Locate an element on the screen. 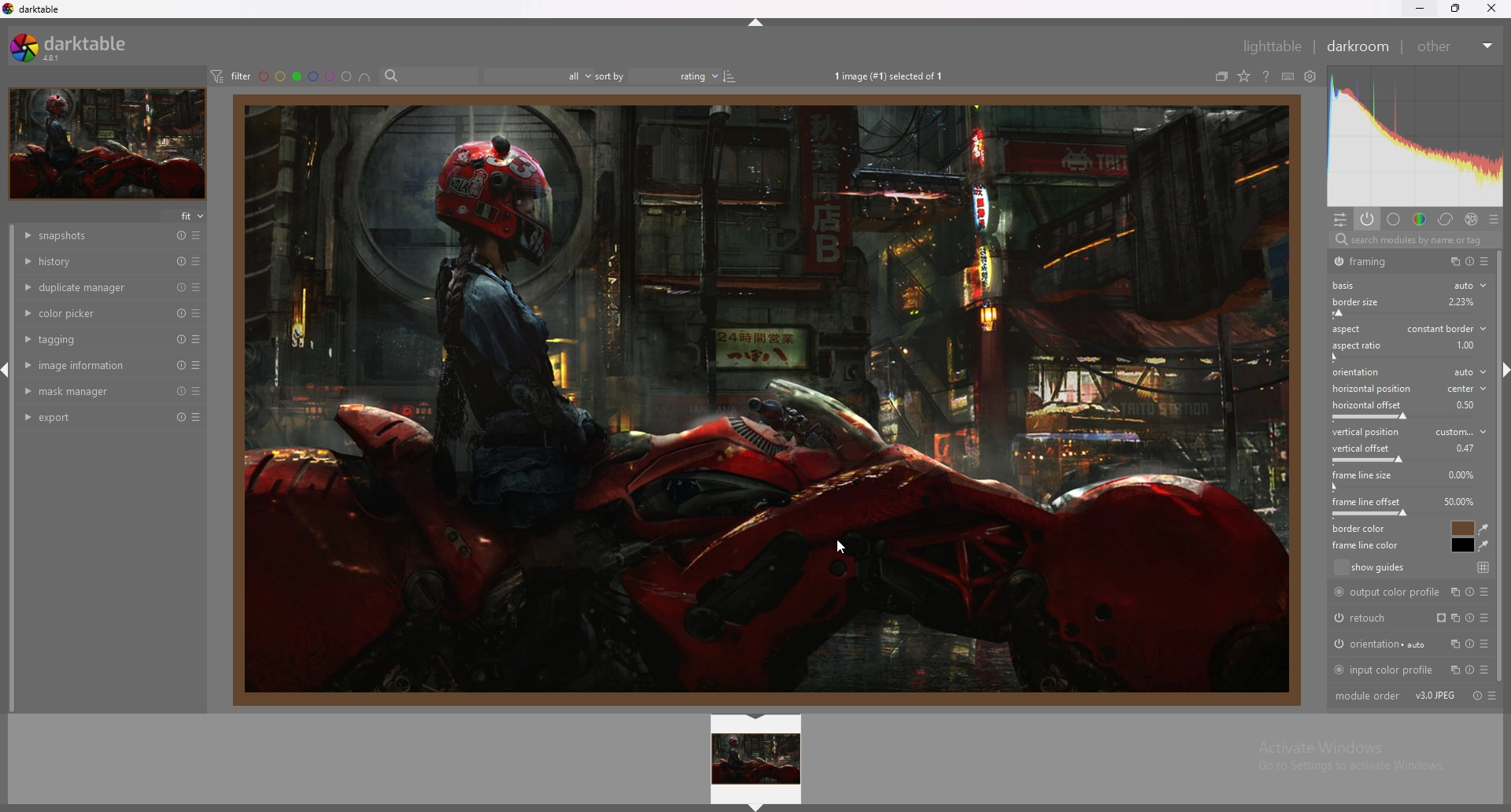 This screenshot has height=812, width=1511. photo heatmap is located at coordinates (1414, 138).